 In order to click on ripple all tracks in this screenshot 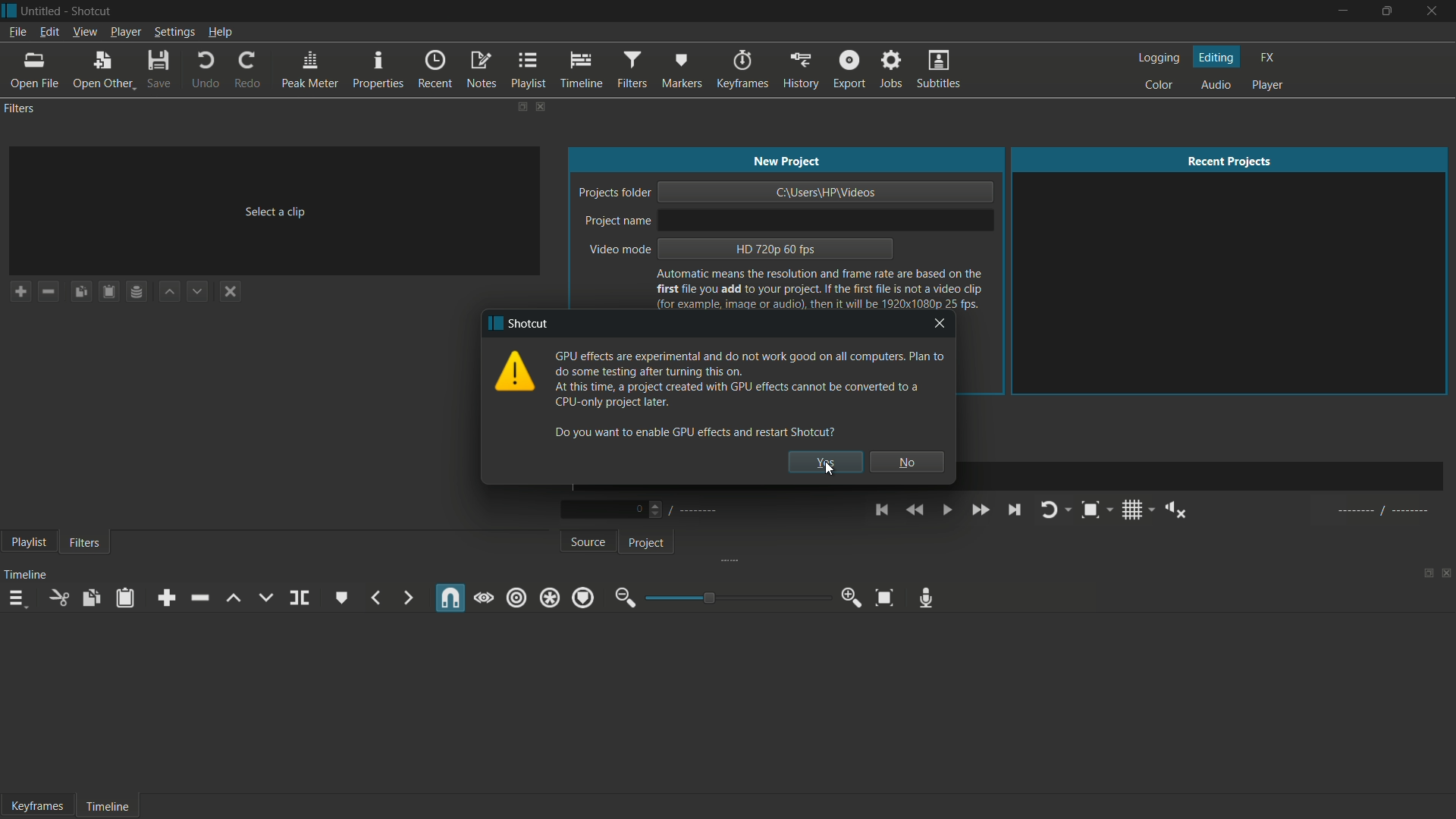, I will do `click(548, 598)`.